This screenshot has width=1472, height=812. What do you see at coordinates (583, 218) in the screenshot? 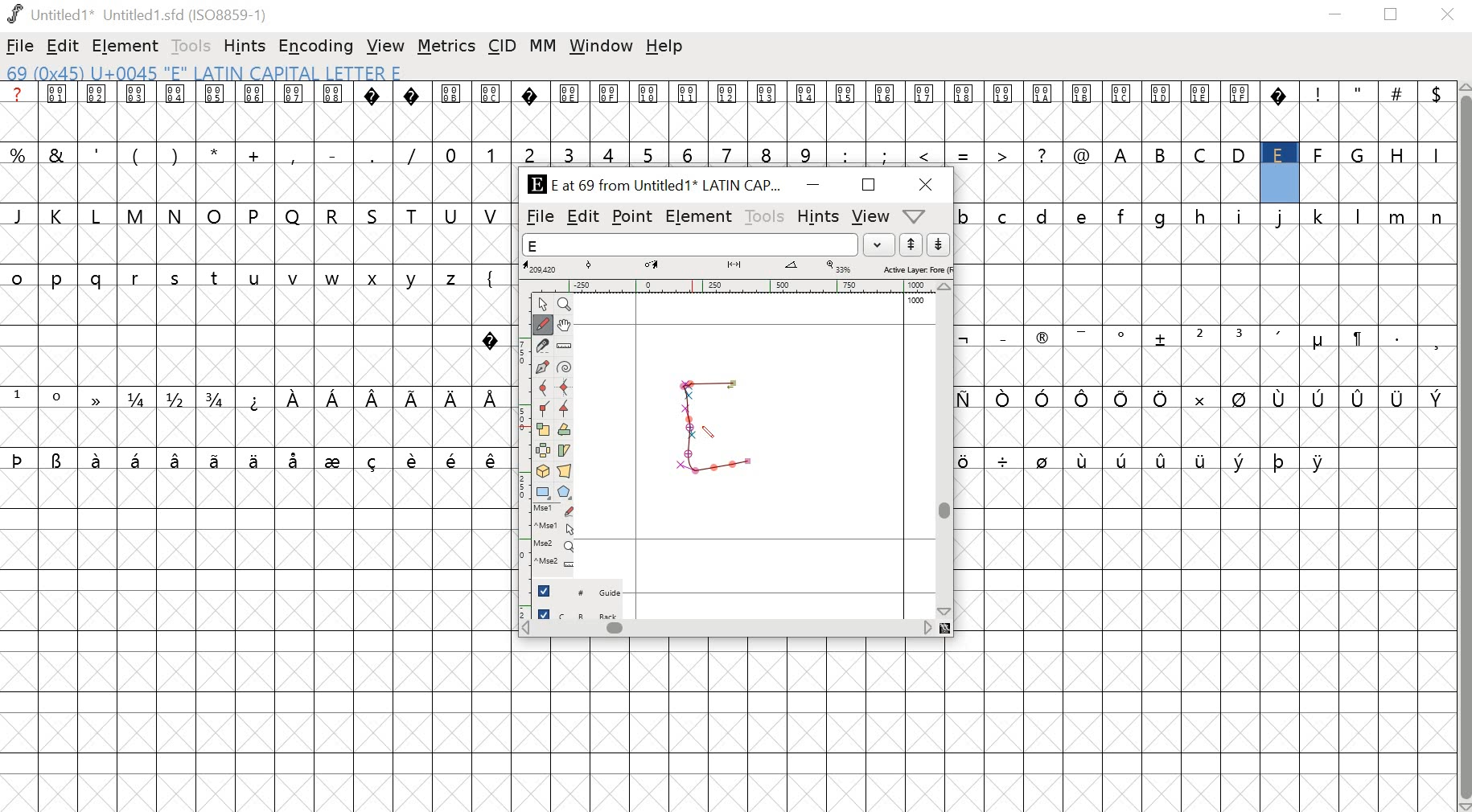
I see `edit` at bounding box center [583, 218].